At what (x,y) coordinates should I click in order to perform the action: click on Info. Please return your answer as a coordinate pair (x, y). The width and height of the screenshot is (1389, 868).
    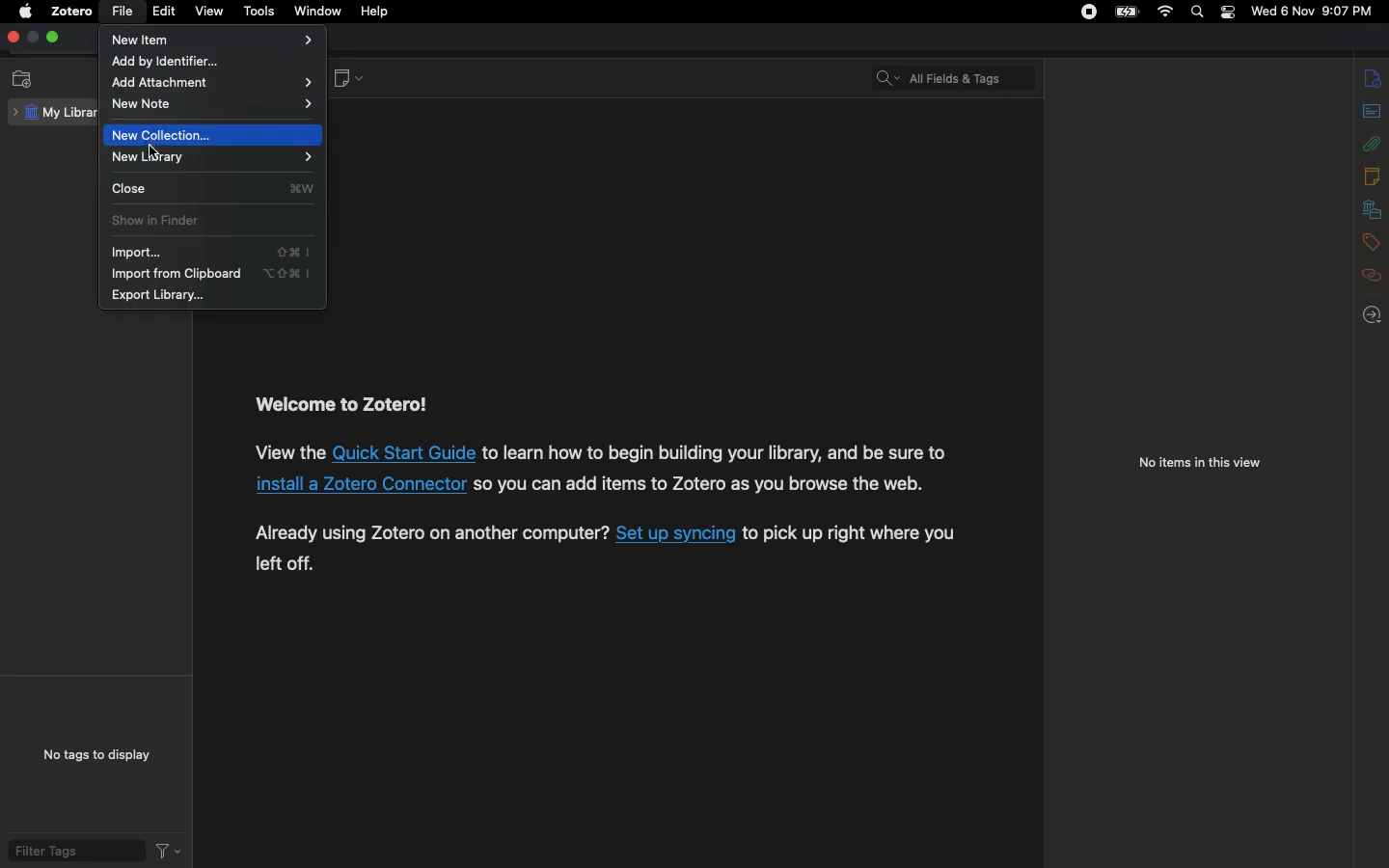
    Looking at the image, I should click on (1374, 78).